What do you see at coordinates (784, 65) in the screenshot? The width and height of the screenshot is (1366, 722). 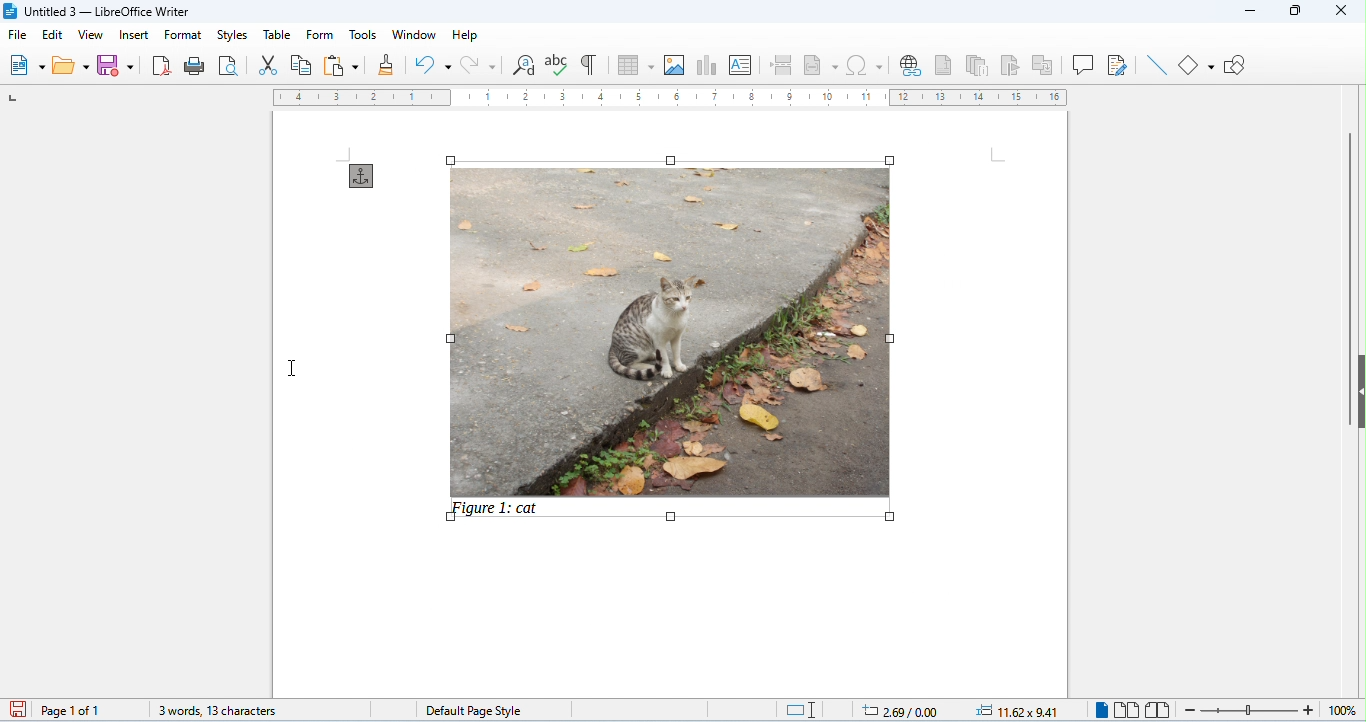 I see `page break` at bounding box center [784, 65].